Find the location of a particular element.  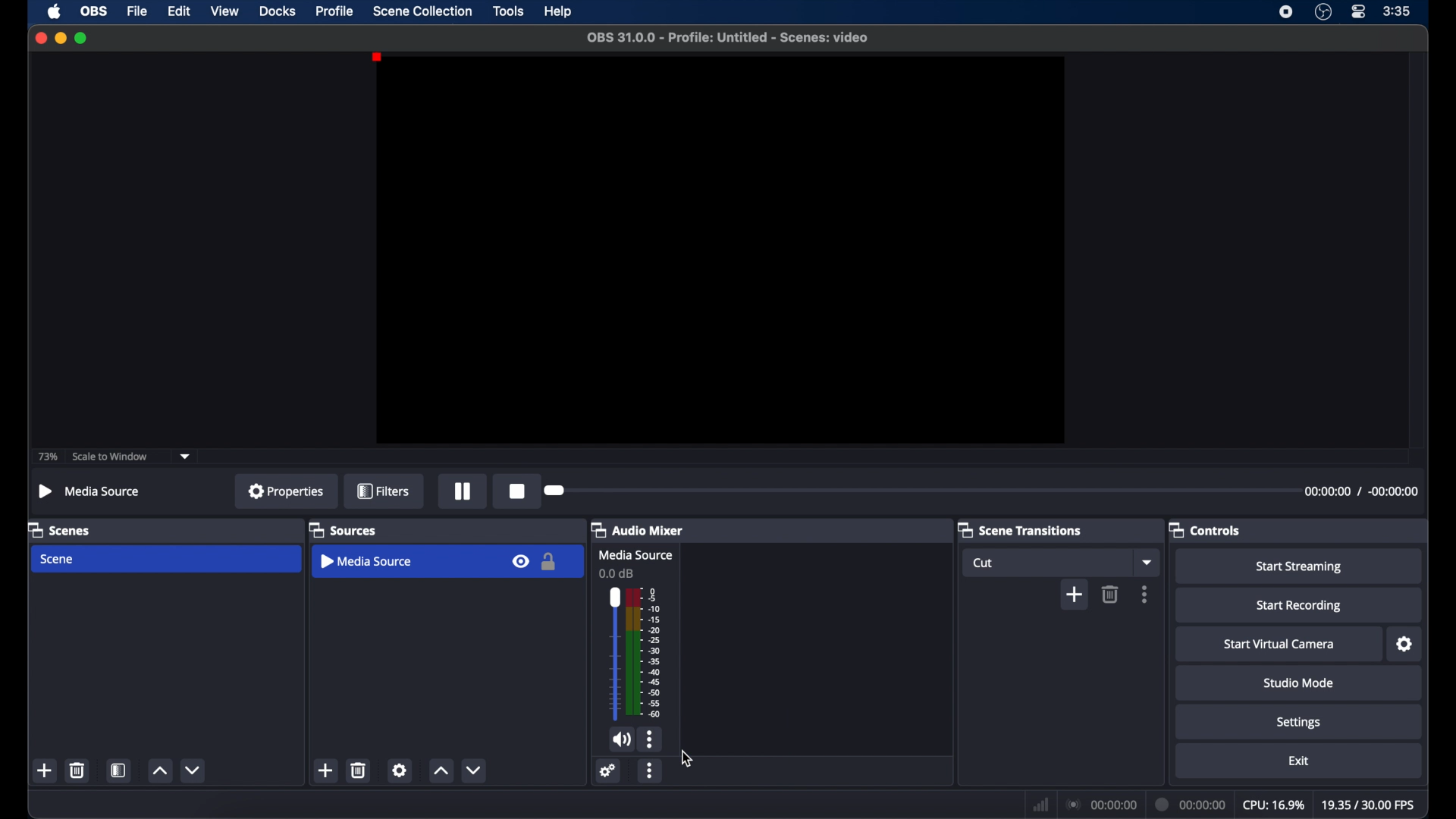

Pause is located at coordinates (460, 492).